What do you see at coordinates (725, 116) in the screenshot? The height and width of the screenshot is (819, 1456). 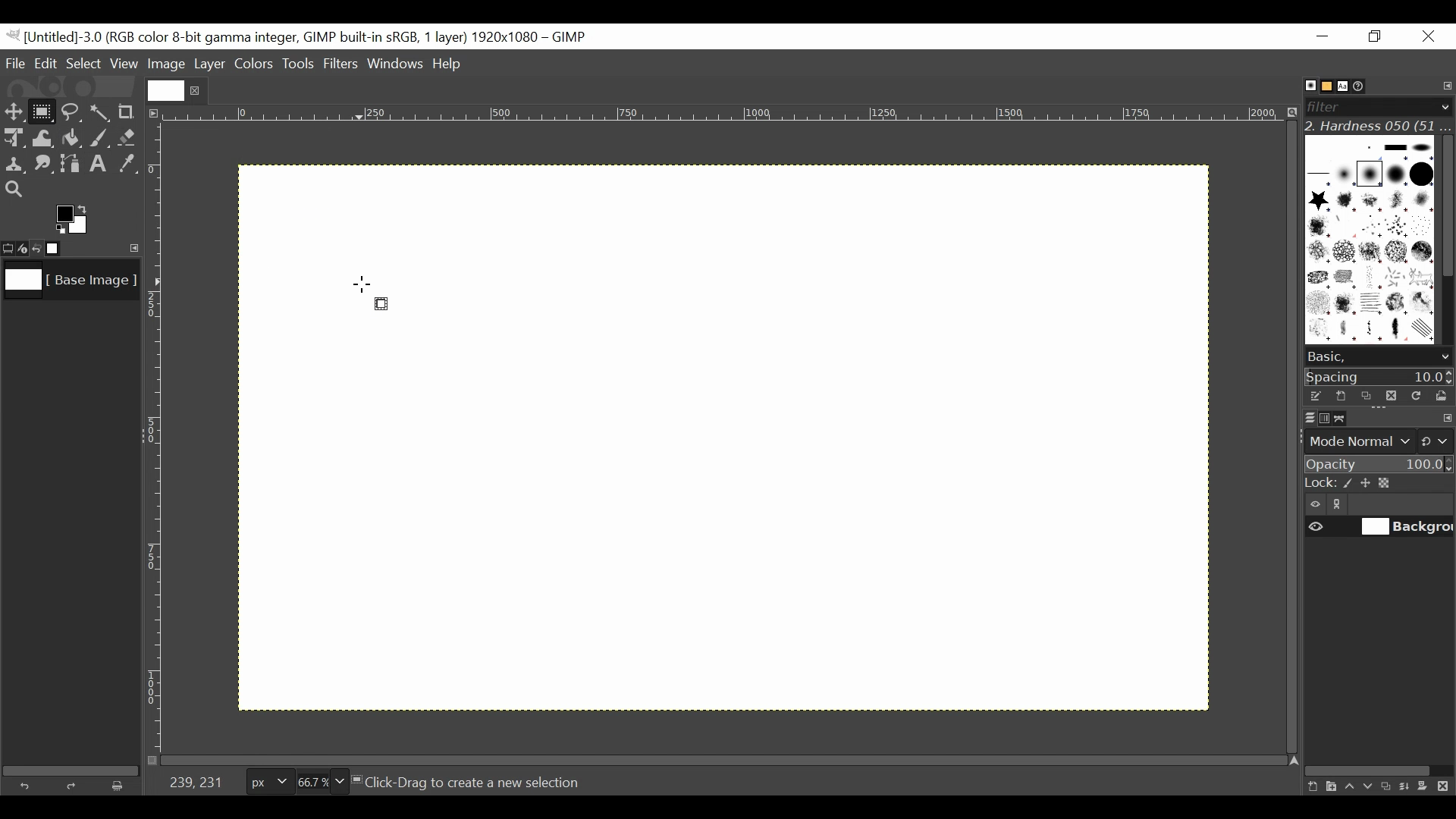 I see `Horizontal ruler` at bounding box center [725, 116].